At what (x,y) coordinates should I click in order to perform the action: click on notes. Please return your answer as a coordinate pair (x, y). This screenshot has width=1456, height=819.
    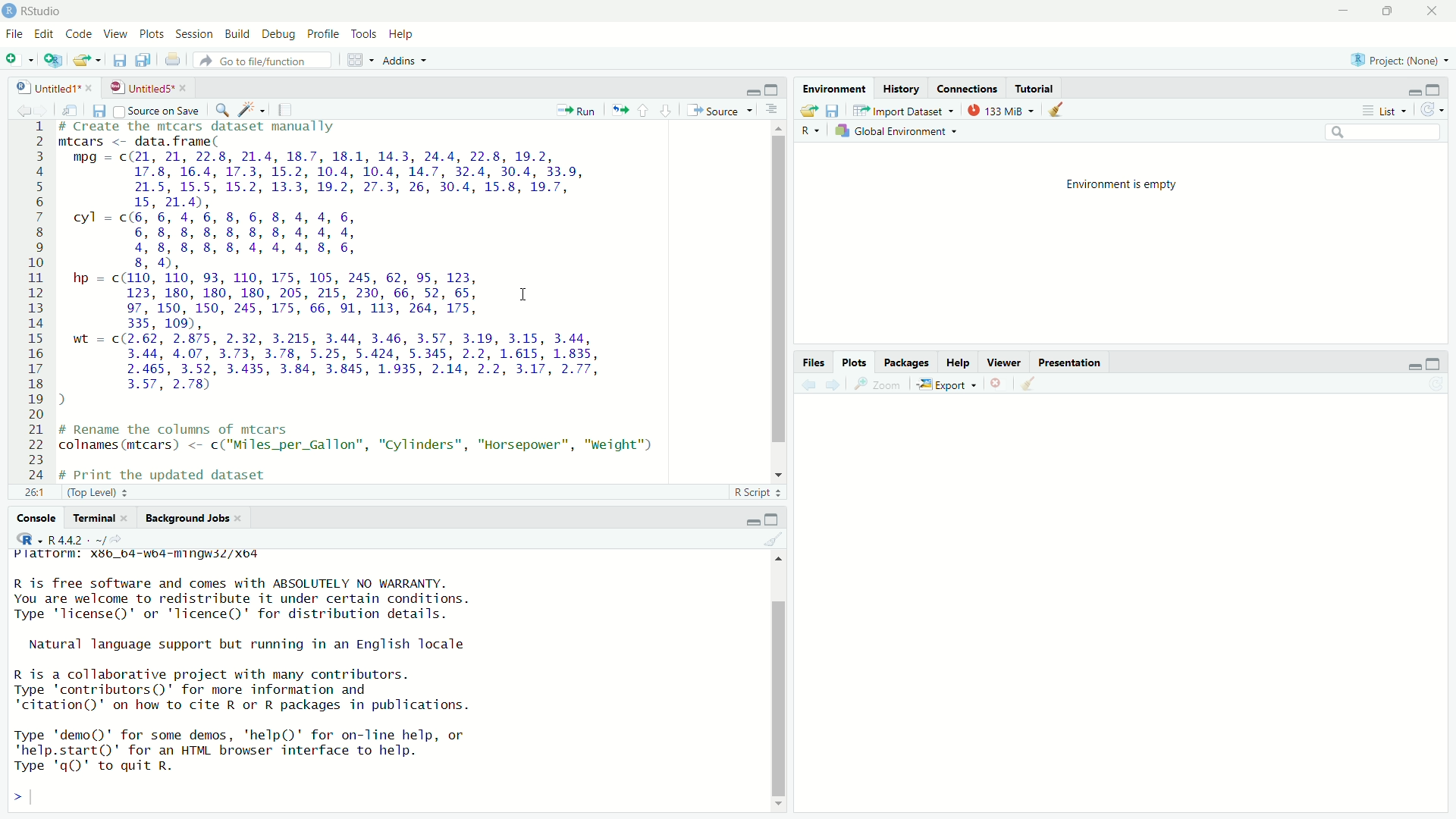
    Looking at the image, I should click on (286, 107).